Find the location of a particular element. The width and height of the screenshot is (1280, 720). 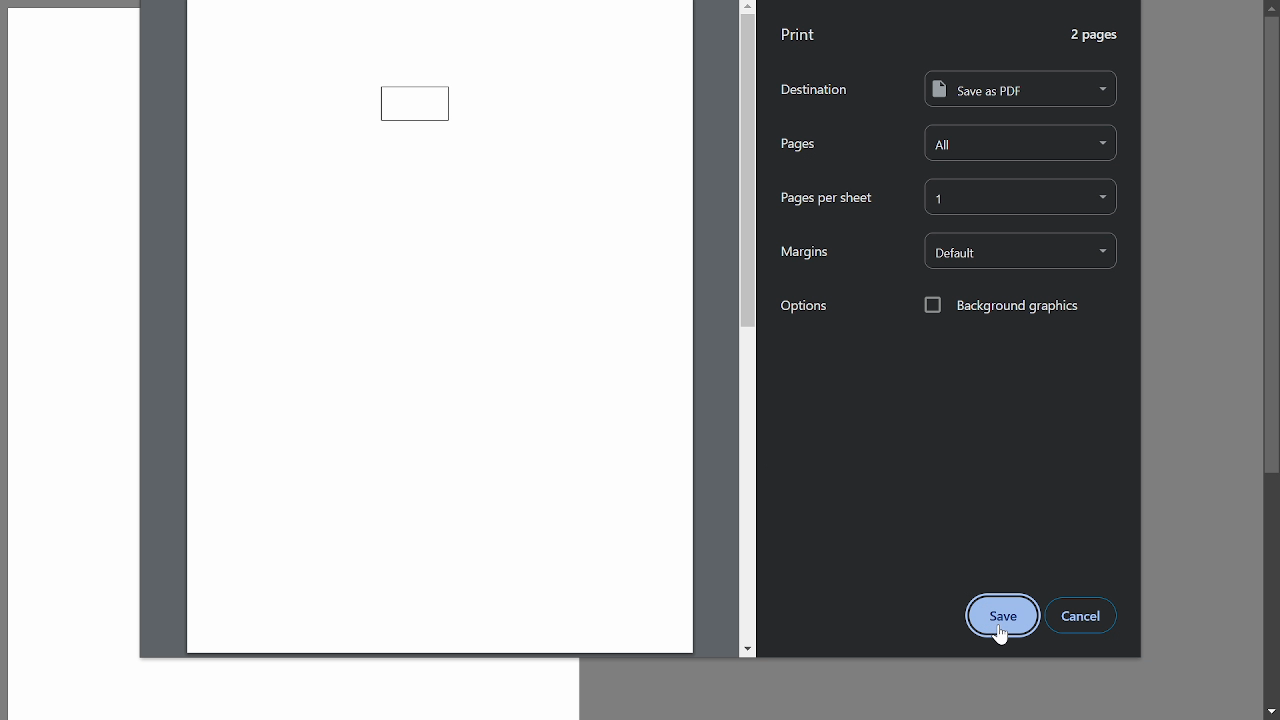

pages is located at coordinates (803, 143).